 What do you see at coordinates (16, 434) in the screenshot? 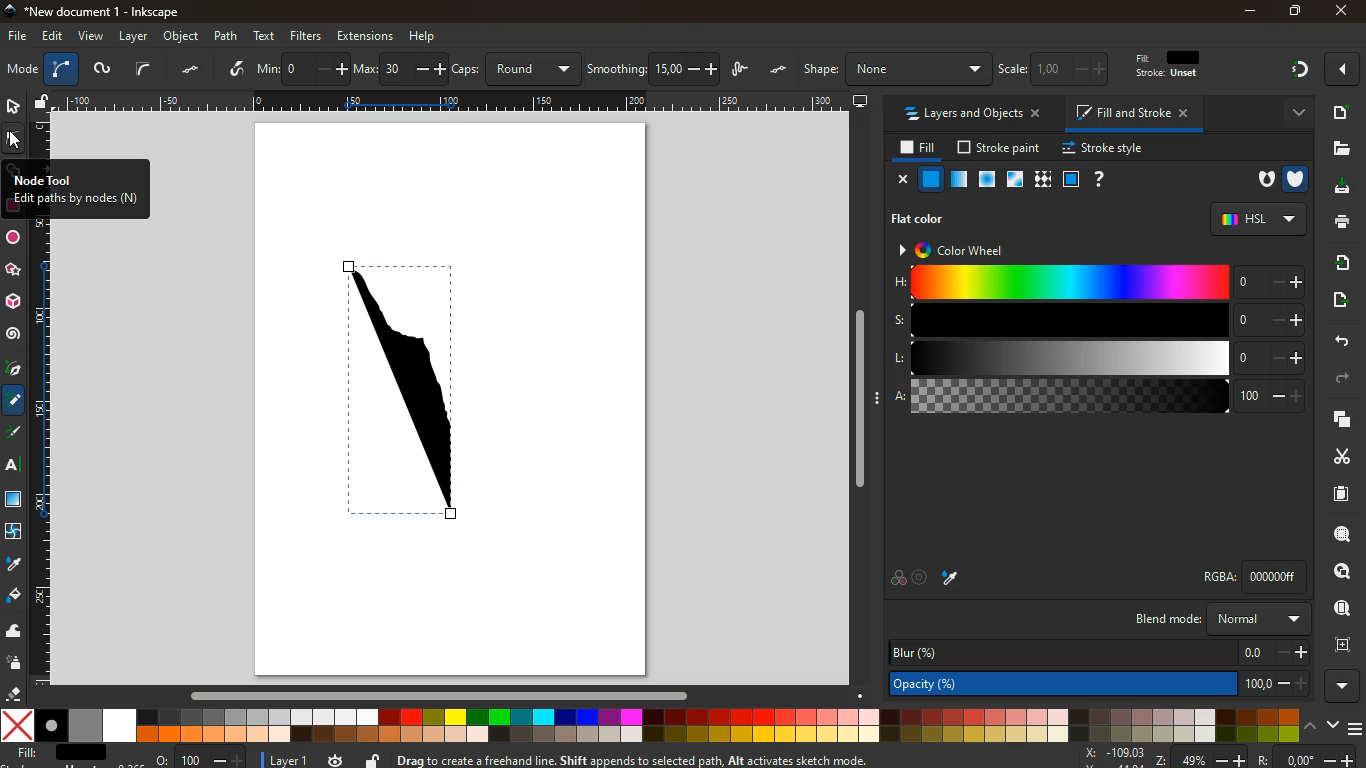
I see `pencil tool` at bounding box center [16, 434].